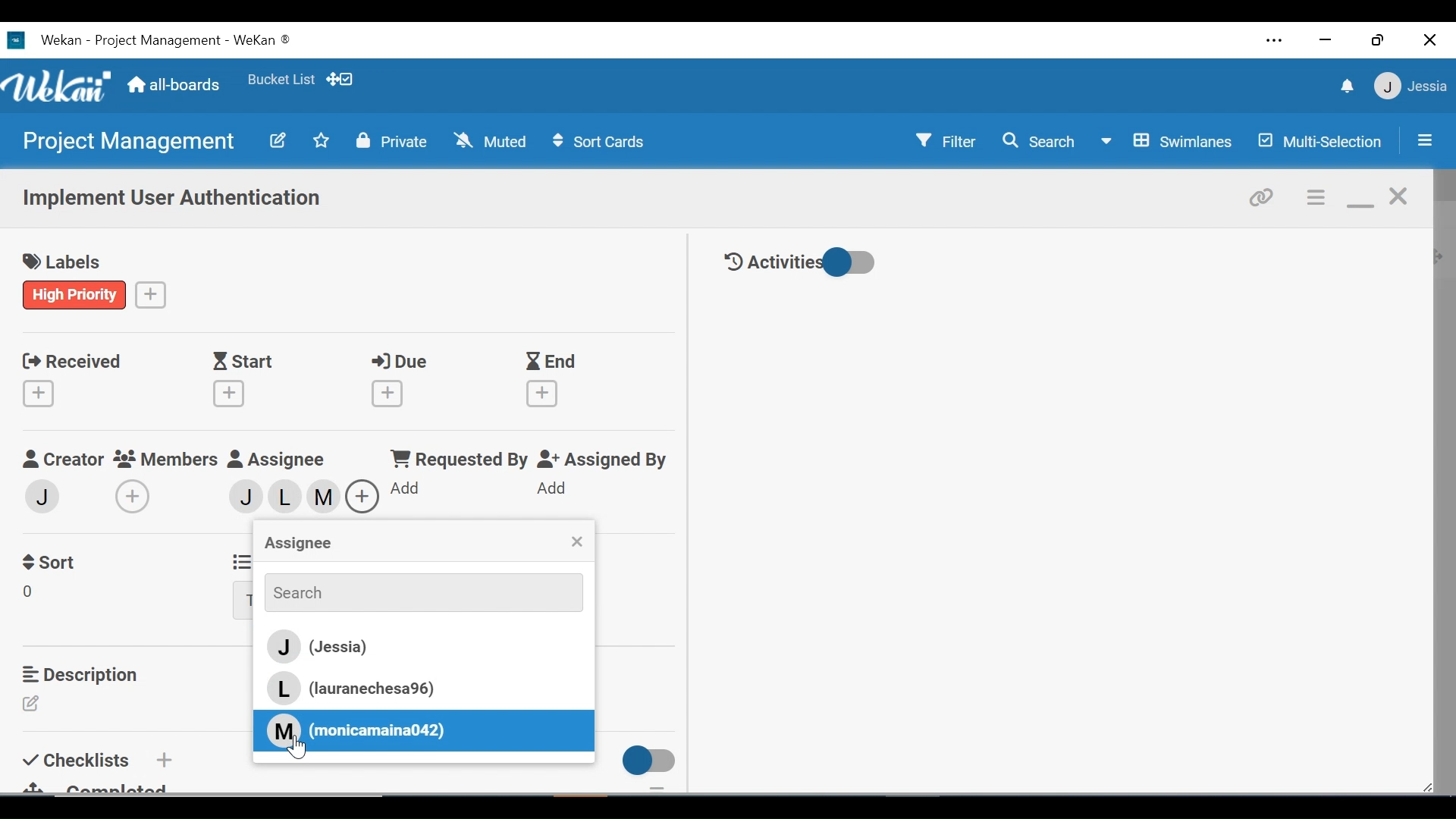 The image size is (1456, 819). Describe the element at coordinates (52, 560) in the screenshot. I see `Sort` at that location.